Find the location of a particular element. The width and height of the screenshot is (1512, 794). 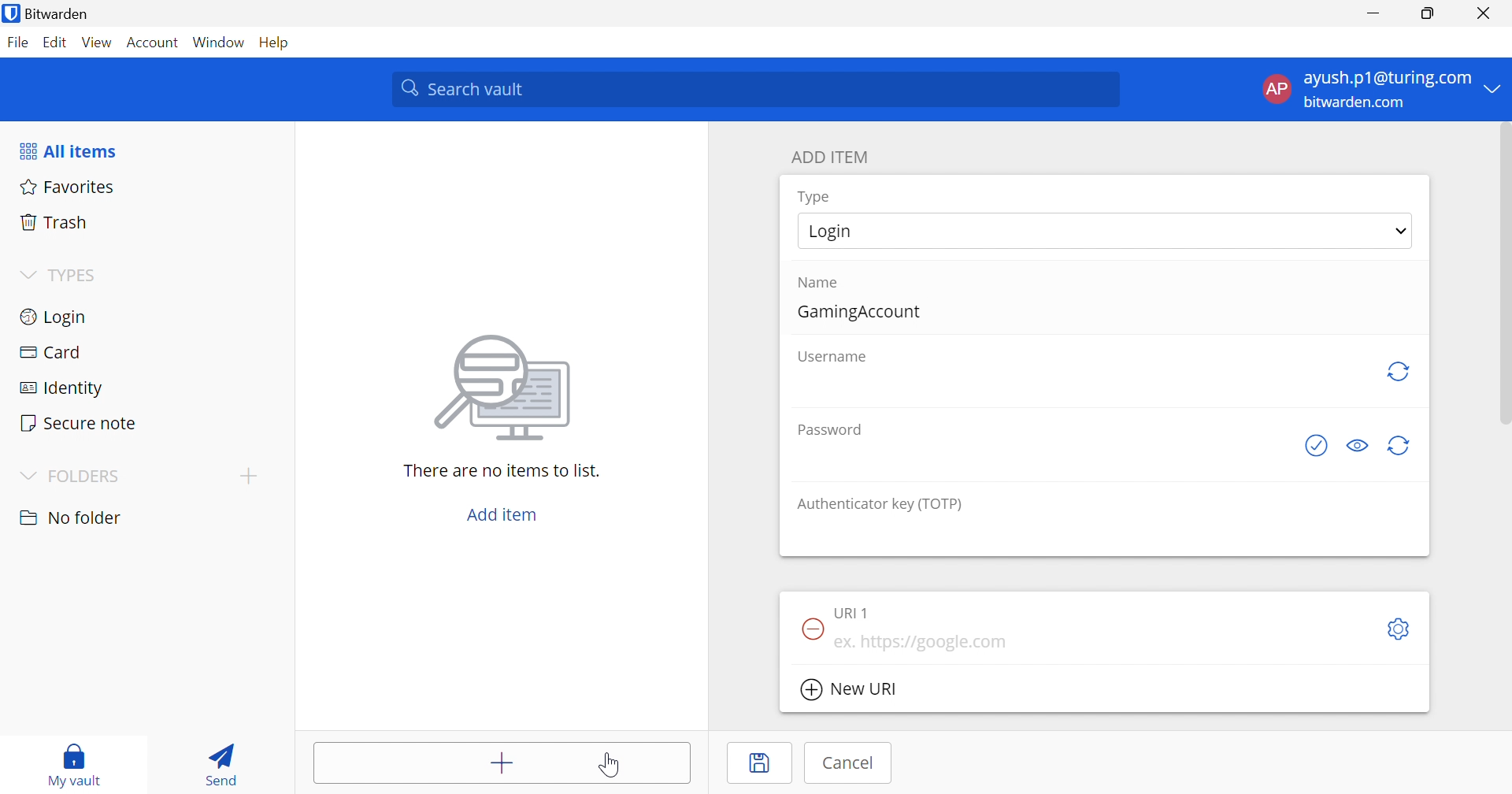

bitwarden.com is located at coordinates (1355, 103).